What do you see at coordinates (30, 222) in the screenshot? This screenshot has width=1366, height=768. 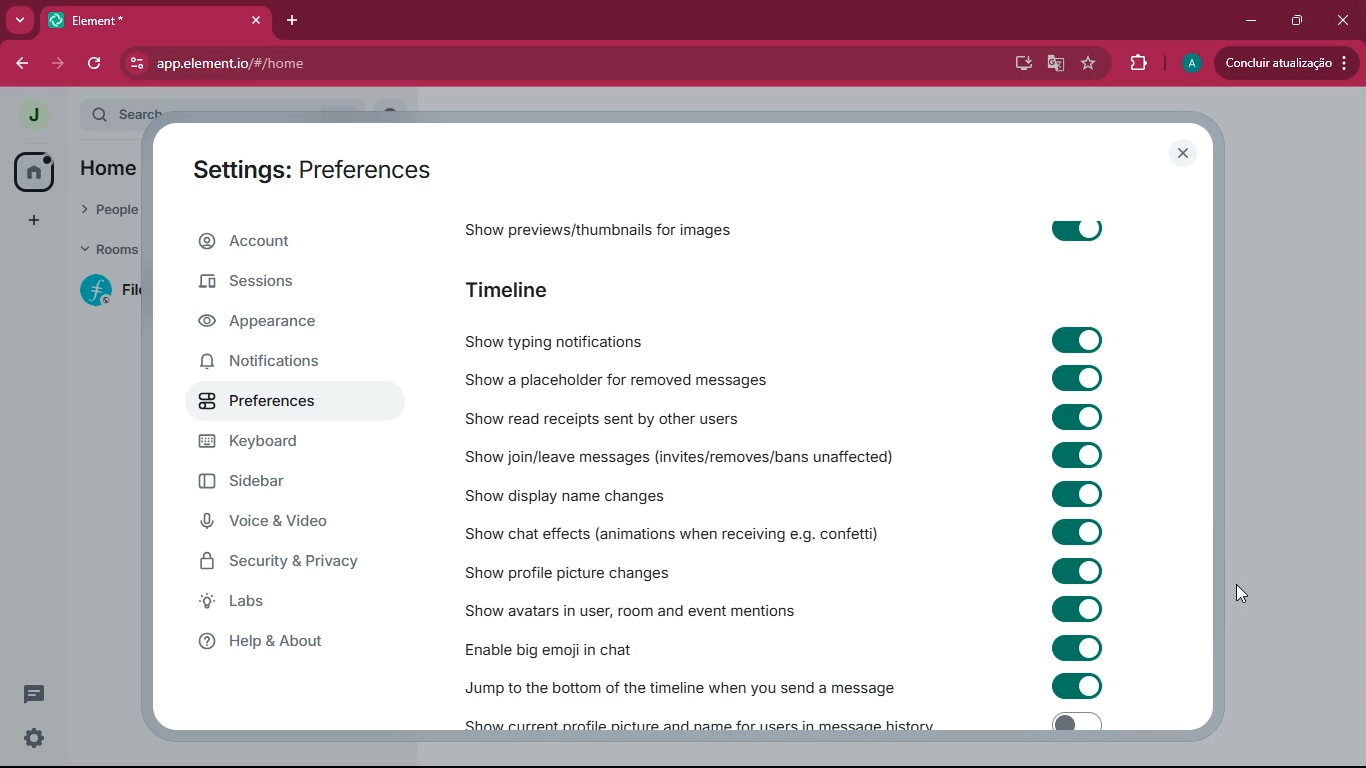 I see `add` at bounding box center [30, 222].